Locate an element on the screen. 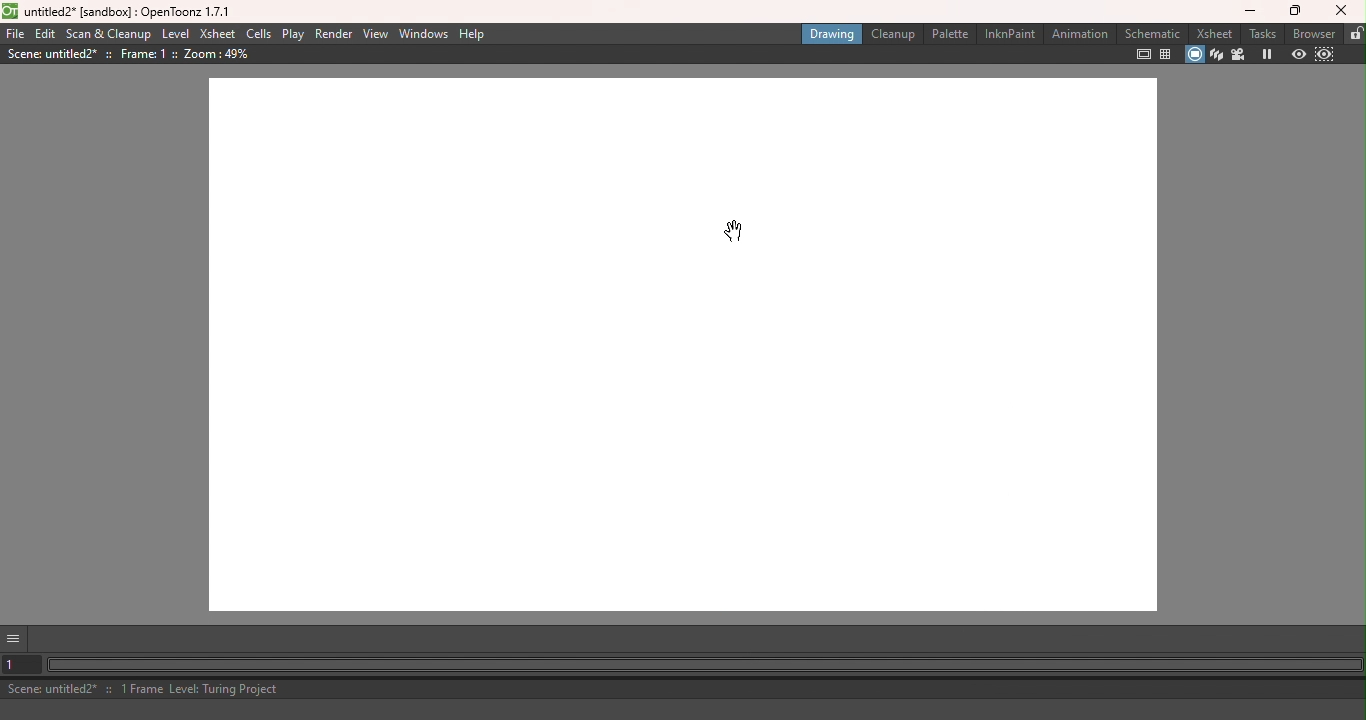 This screenshot has height=720, width=1366. Camera stand view is located at coordinates (1195, 55).